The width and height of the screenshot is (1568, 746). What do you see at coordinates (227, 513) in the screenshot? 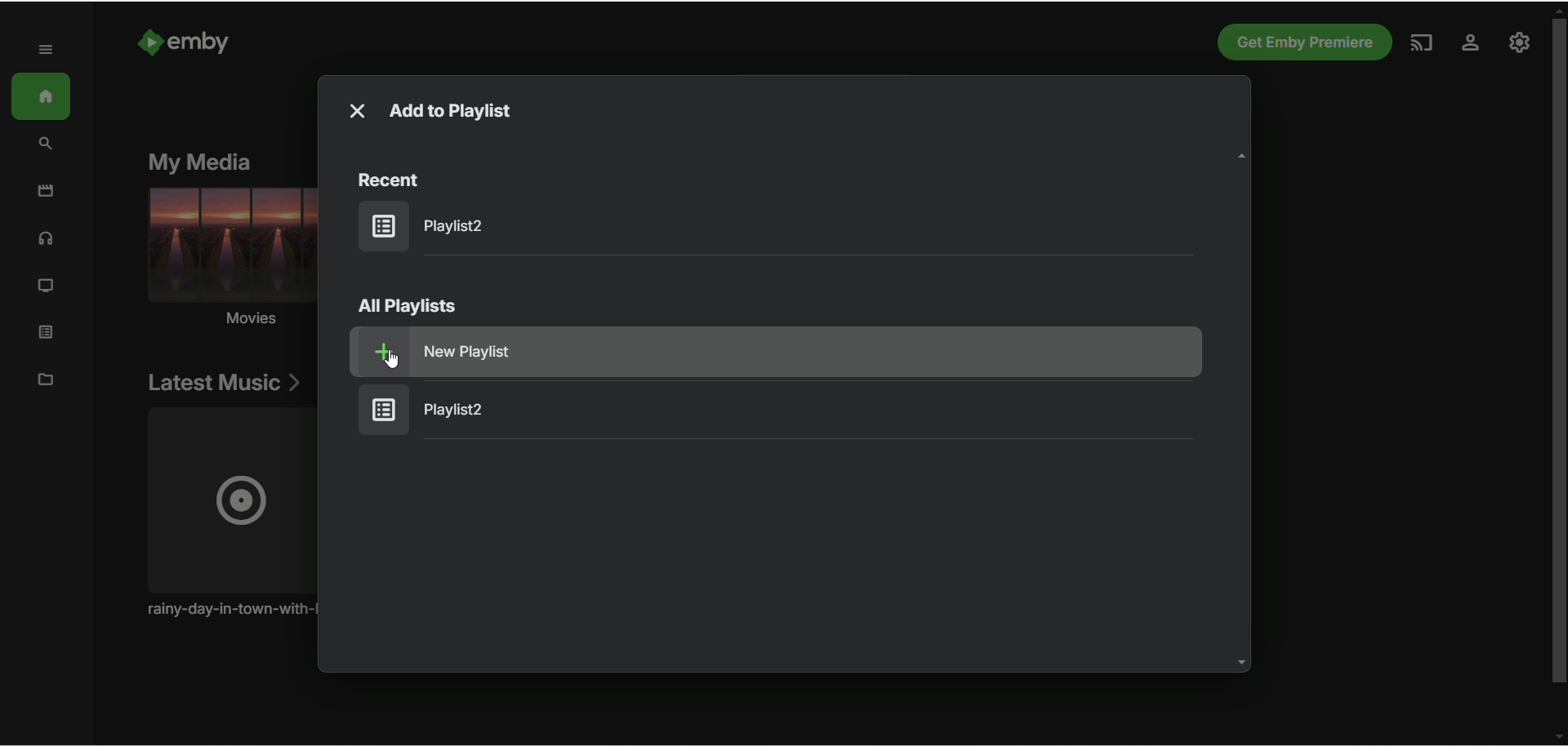
I see `Music album` at bounding box center [227, 513].